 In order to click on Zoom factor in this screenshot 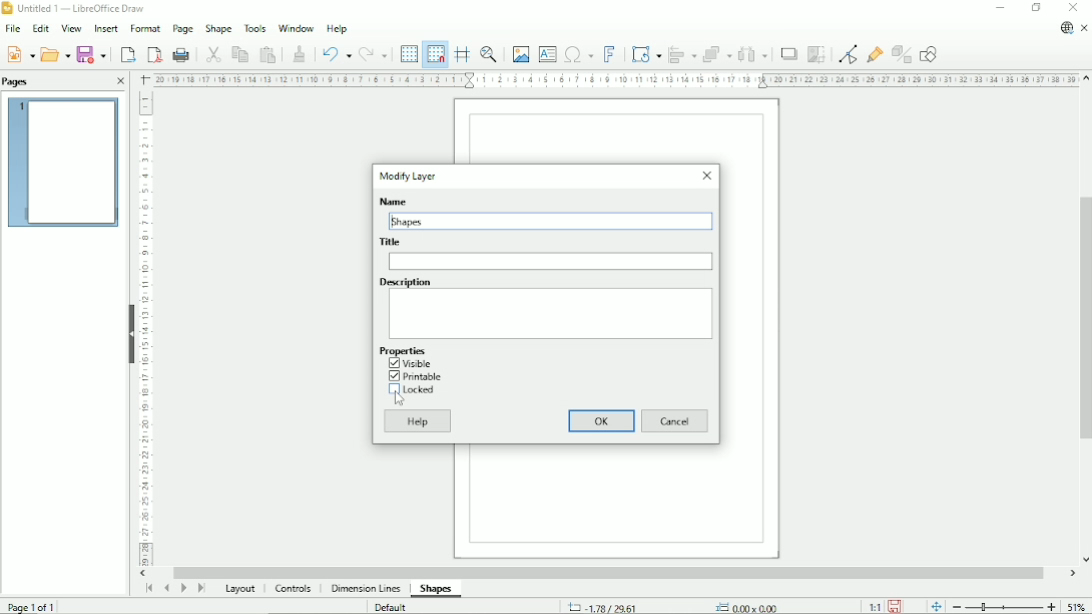, I will do `click(1077, 607)`.